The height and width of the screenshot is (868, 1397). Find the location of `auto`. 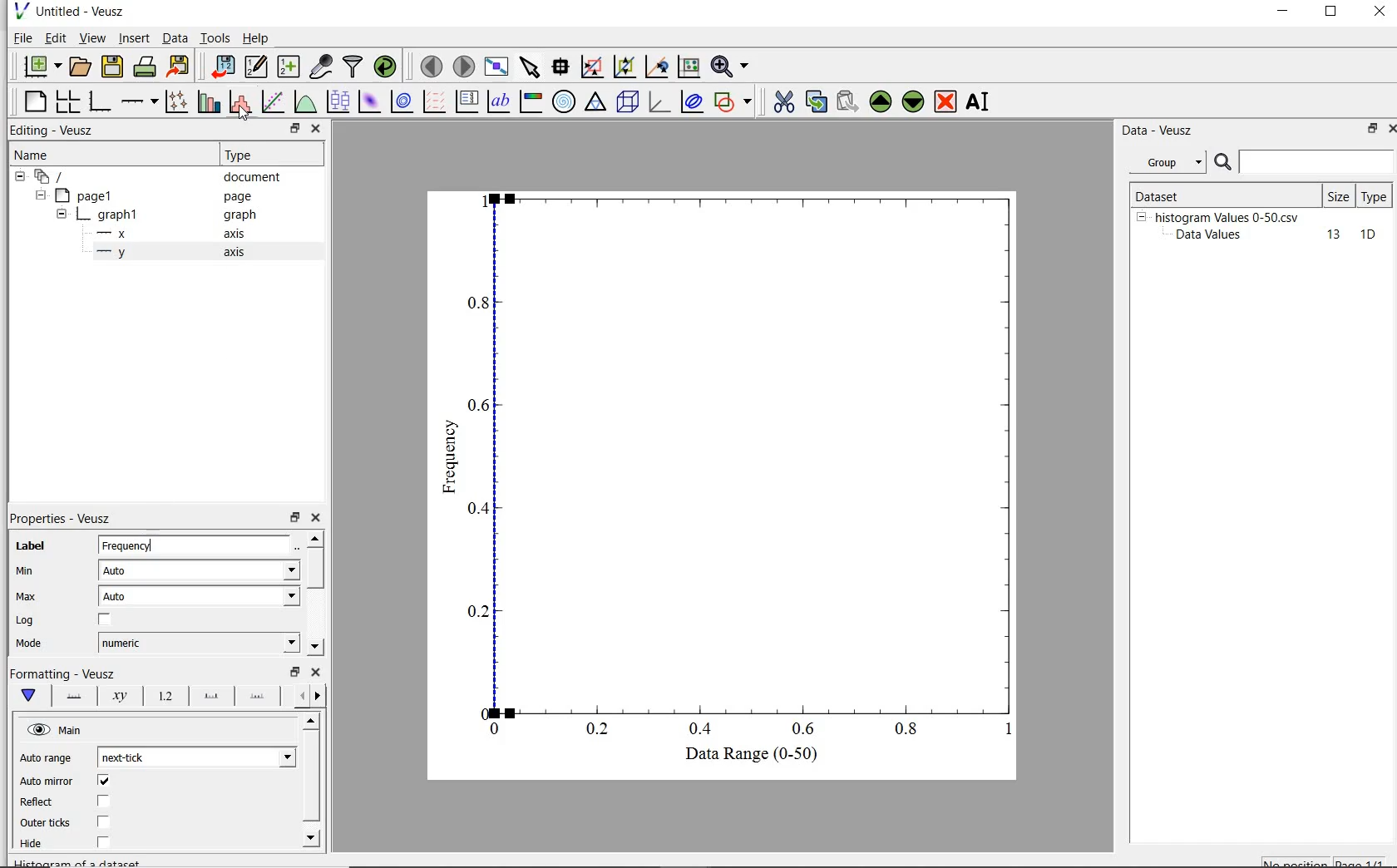

auto is located at coordinates (201, 596).